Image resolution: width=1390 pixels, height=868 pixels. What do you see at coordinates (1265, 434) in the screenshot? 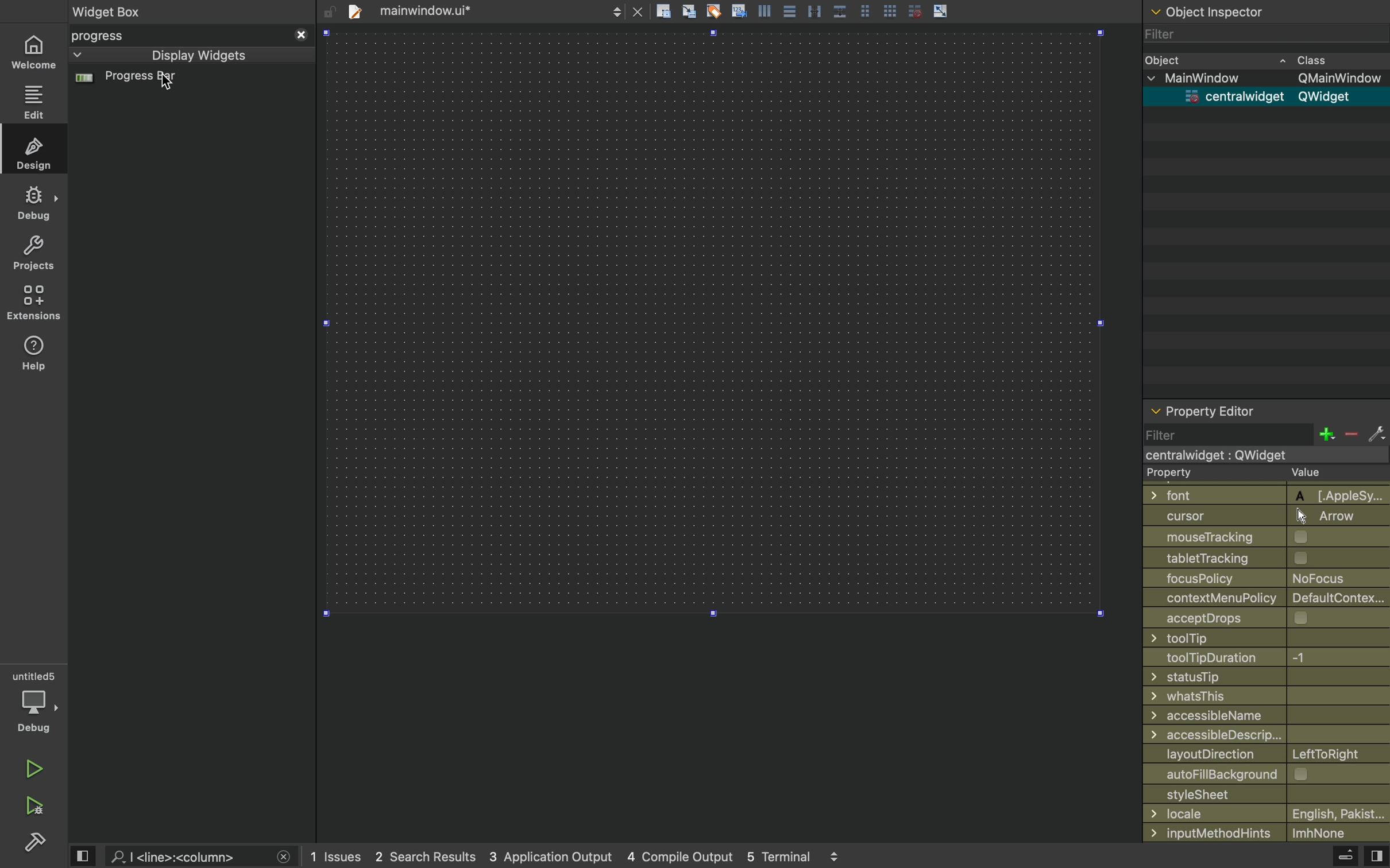
I see `filter` at bounding box center [1265, 434].